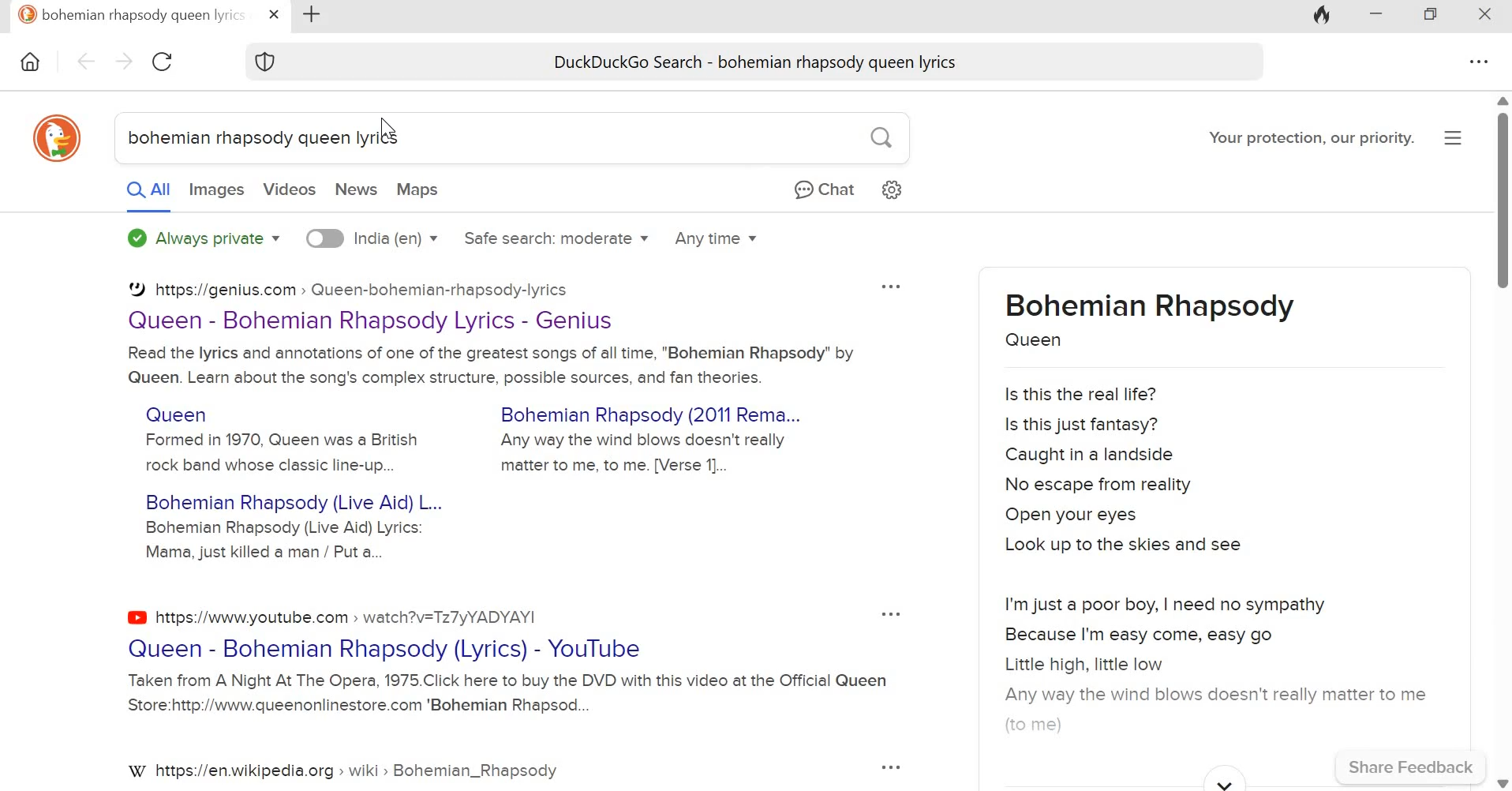  Describe the element at coordinates (724, 238) in the screenshot. I see `Any time` at that location.